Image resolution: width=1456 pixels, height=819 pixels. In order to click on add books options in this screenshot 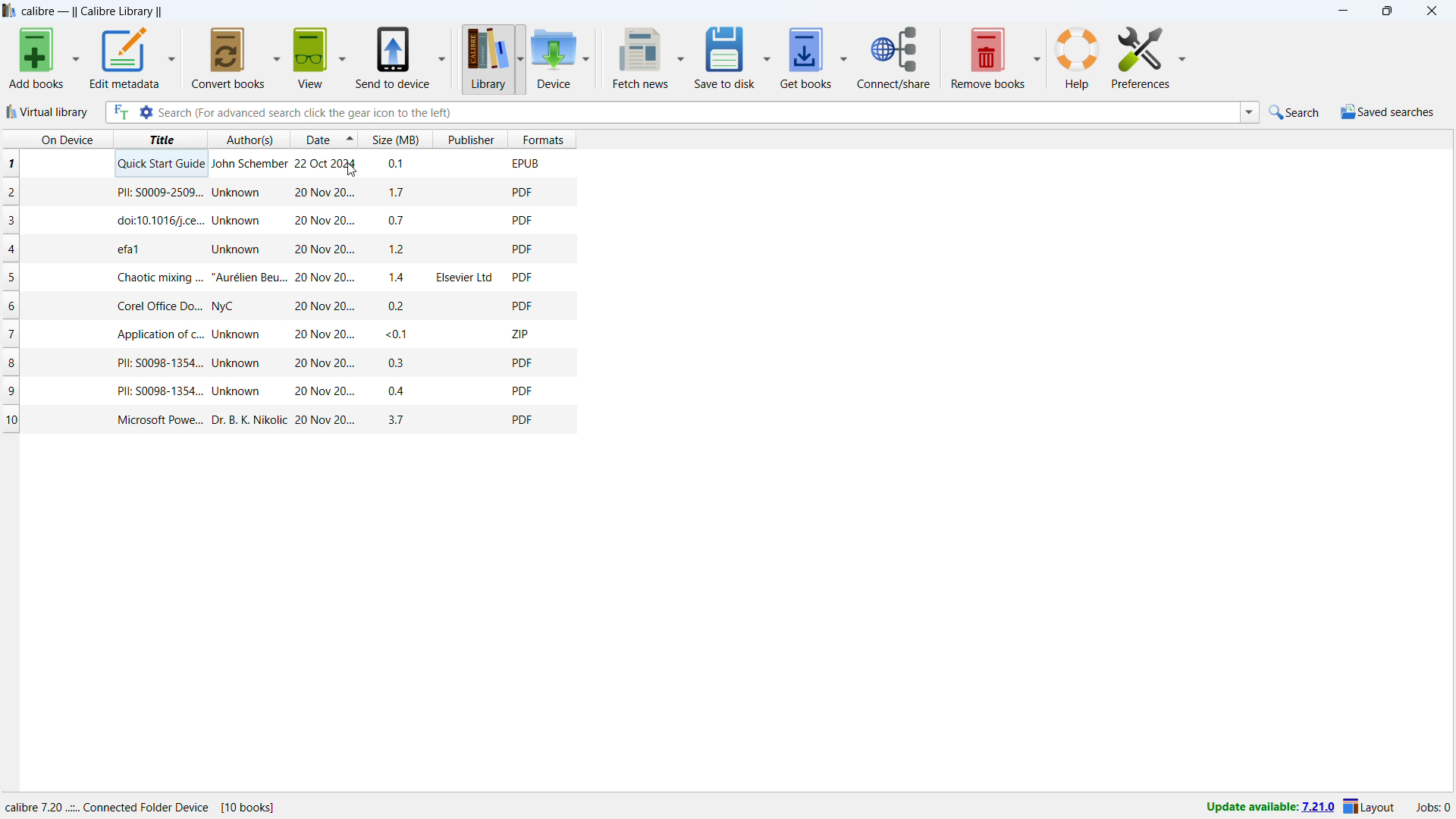, I will do `click(78, 58)`.